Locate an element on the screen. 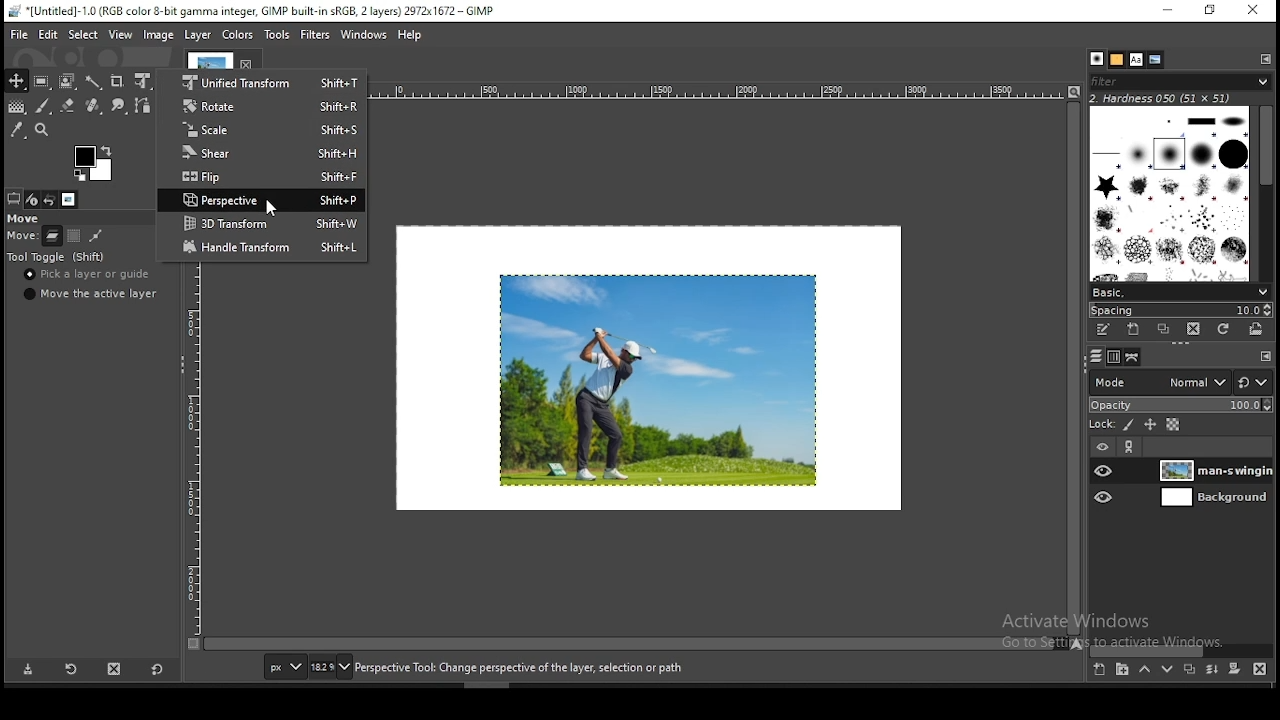 This screenshot has height=720, width=1280. delete layer is located at coordinates (1260, 668).